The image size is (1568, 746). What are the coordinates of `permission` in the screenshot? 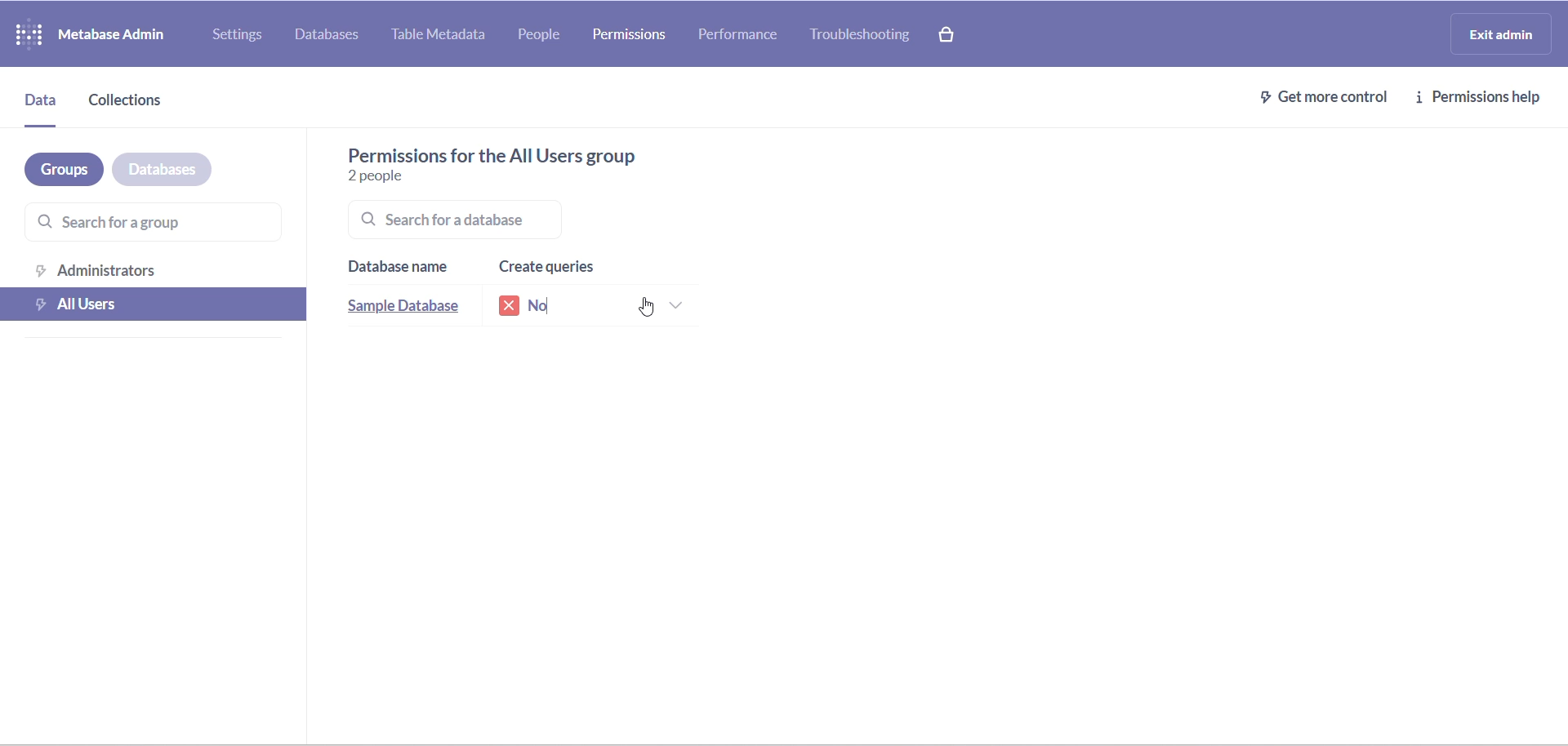 It's located at (630, 33).